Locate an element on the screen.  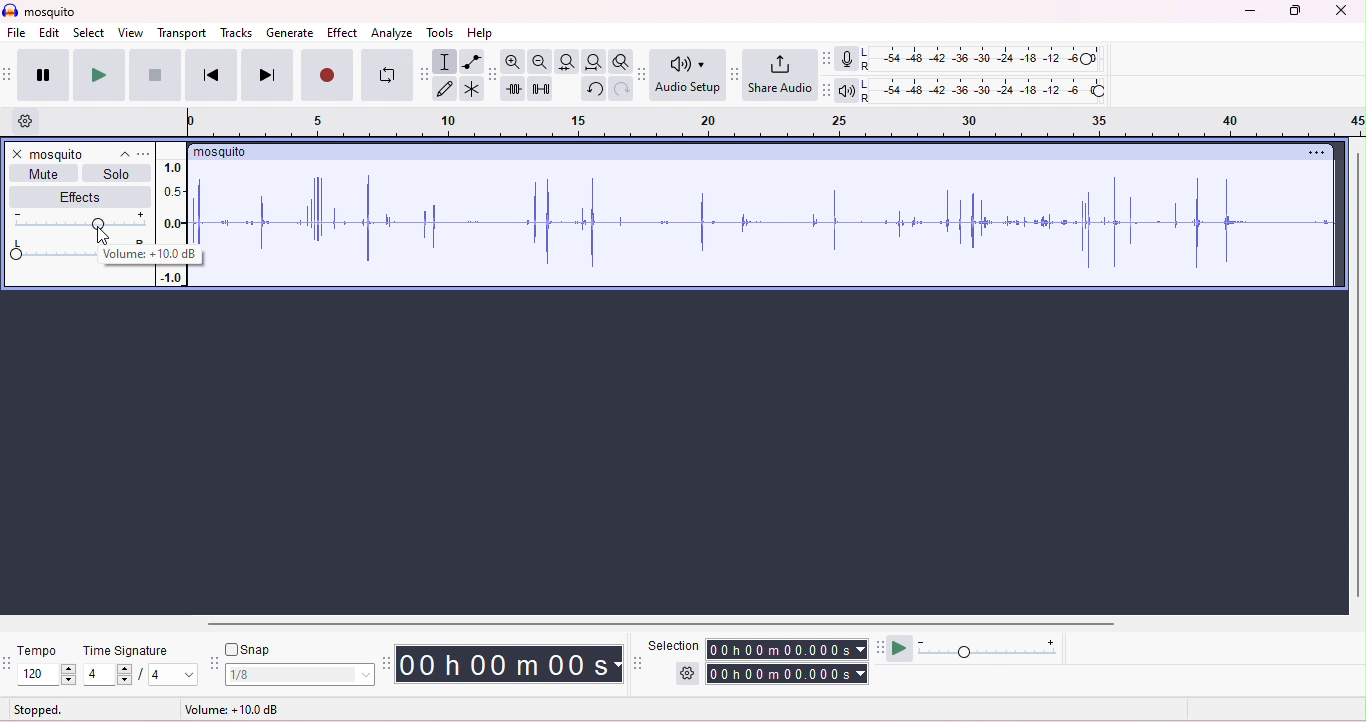
close is located at coordinates (1342, 10).